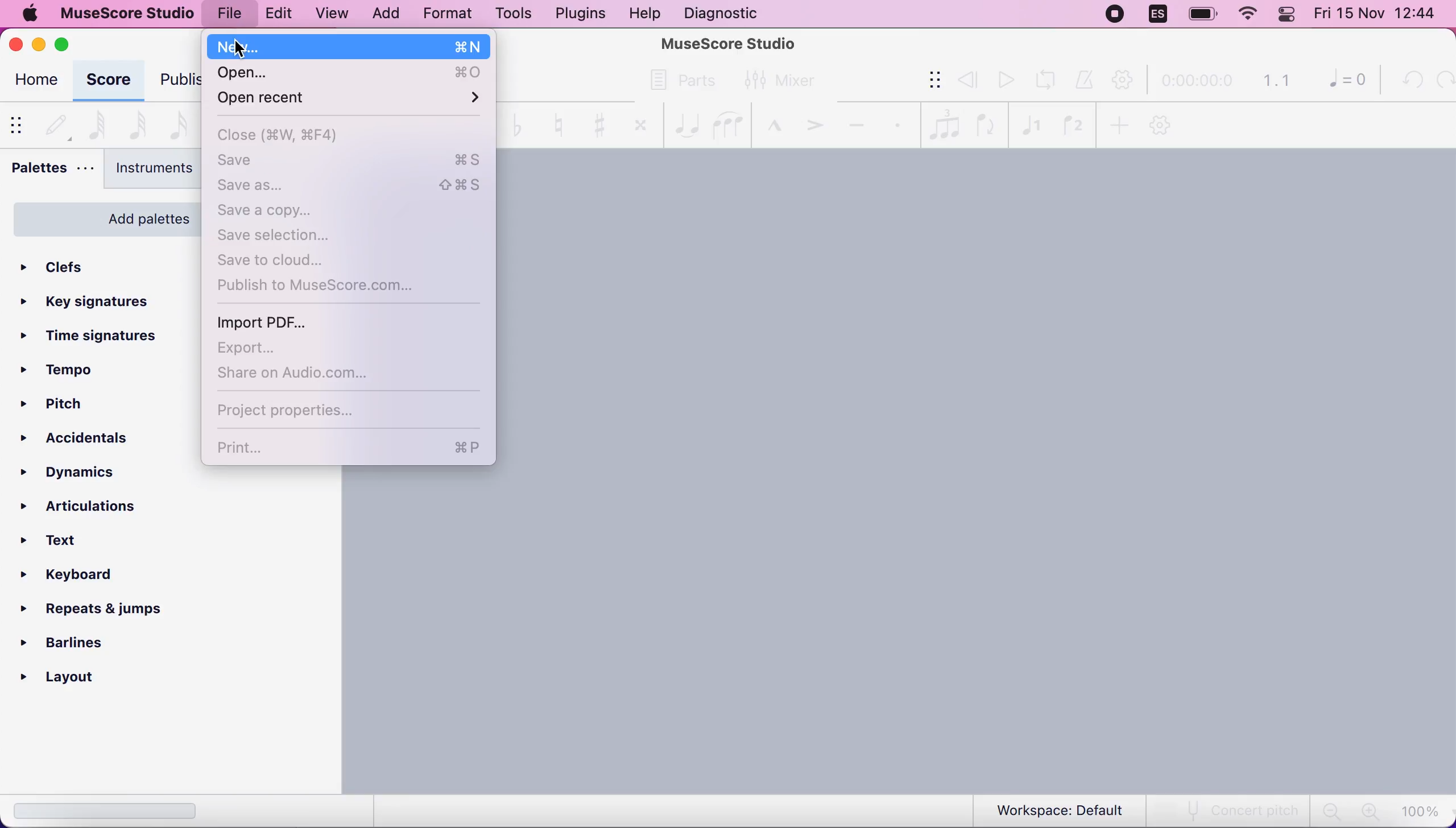 The height and width of the screenshot is (828, 1456). I want to click on plugins, so click(579, 14).